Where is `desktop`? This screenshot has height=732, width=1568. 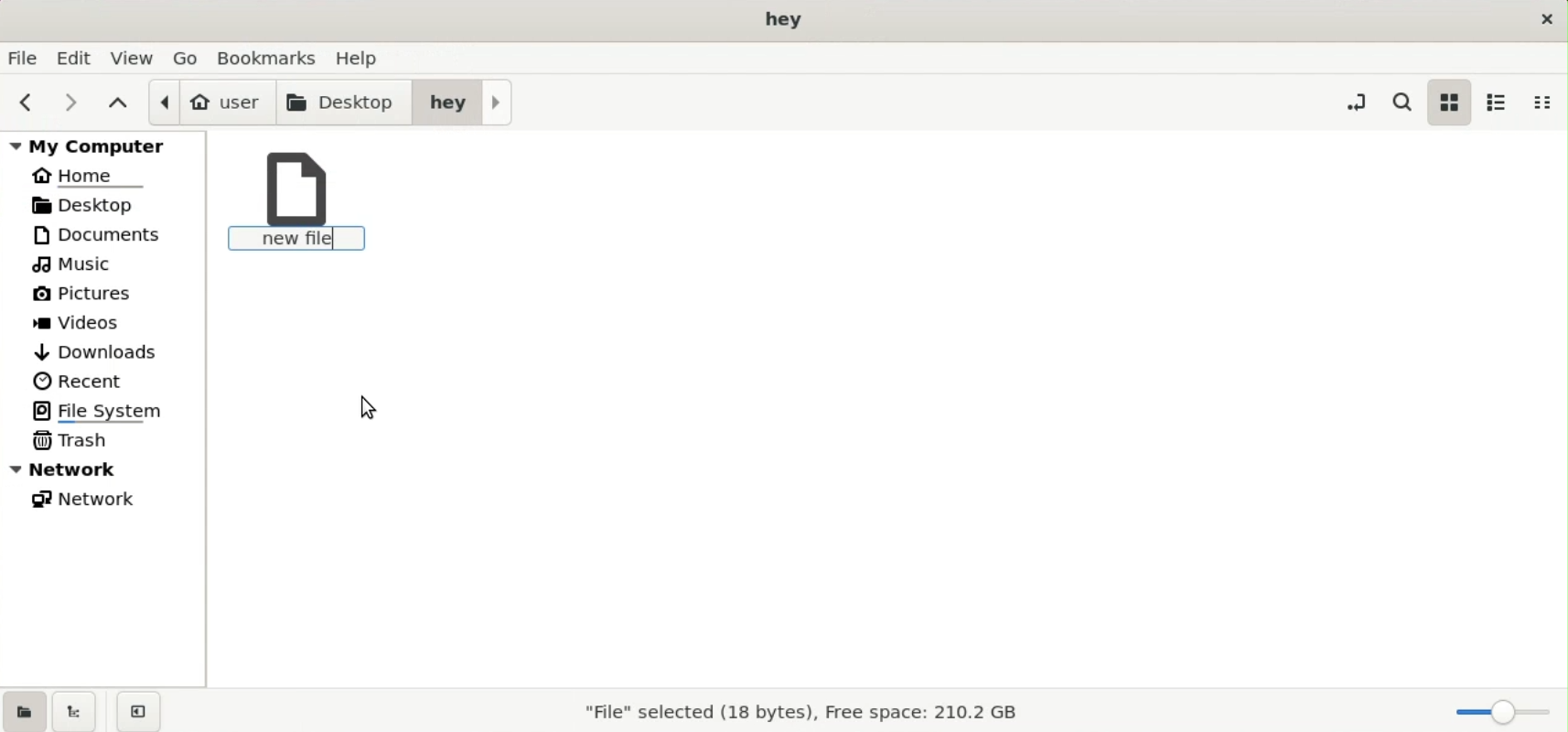
desktop is located at coordinates (346, 101).